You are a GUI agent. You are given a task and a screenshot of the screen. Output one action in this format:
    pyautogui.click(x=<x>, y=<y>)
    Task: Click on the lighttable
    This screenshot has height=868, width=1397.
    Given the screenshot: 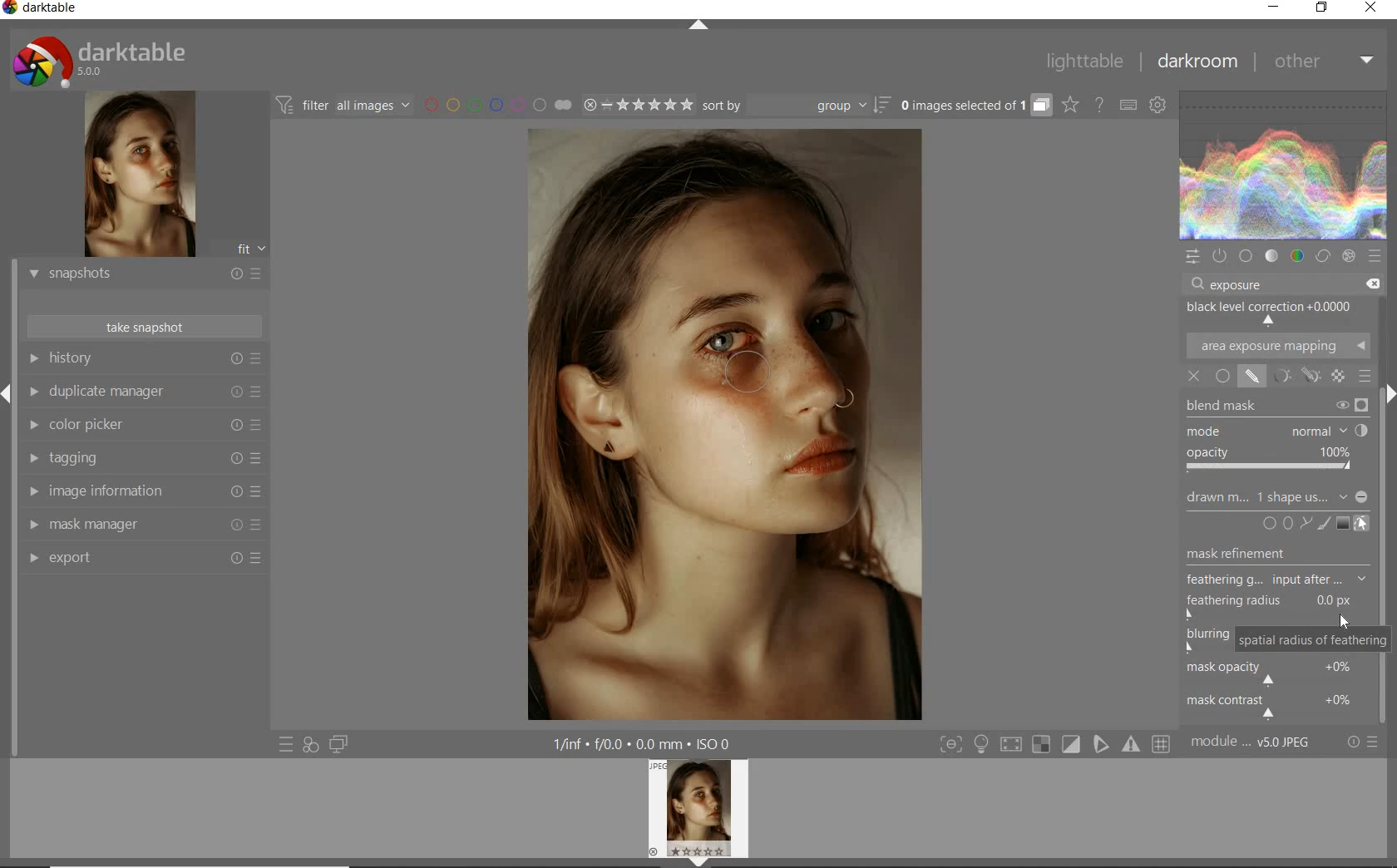 What is the action you would take?
    pyautogui.click(x=1088, y=60)
    